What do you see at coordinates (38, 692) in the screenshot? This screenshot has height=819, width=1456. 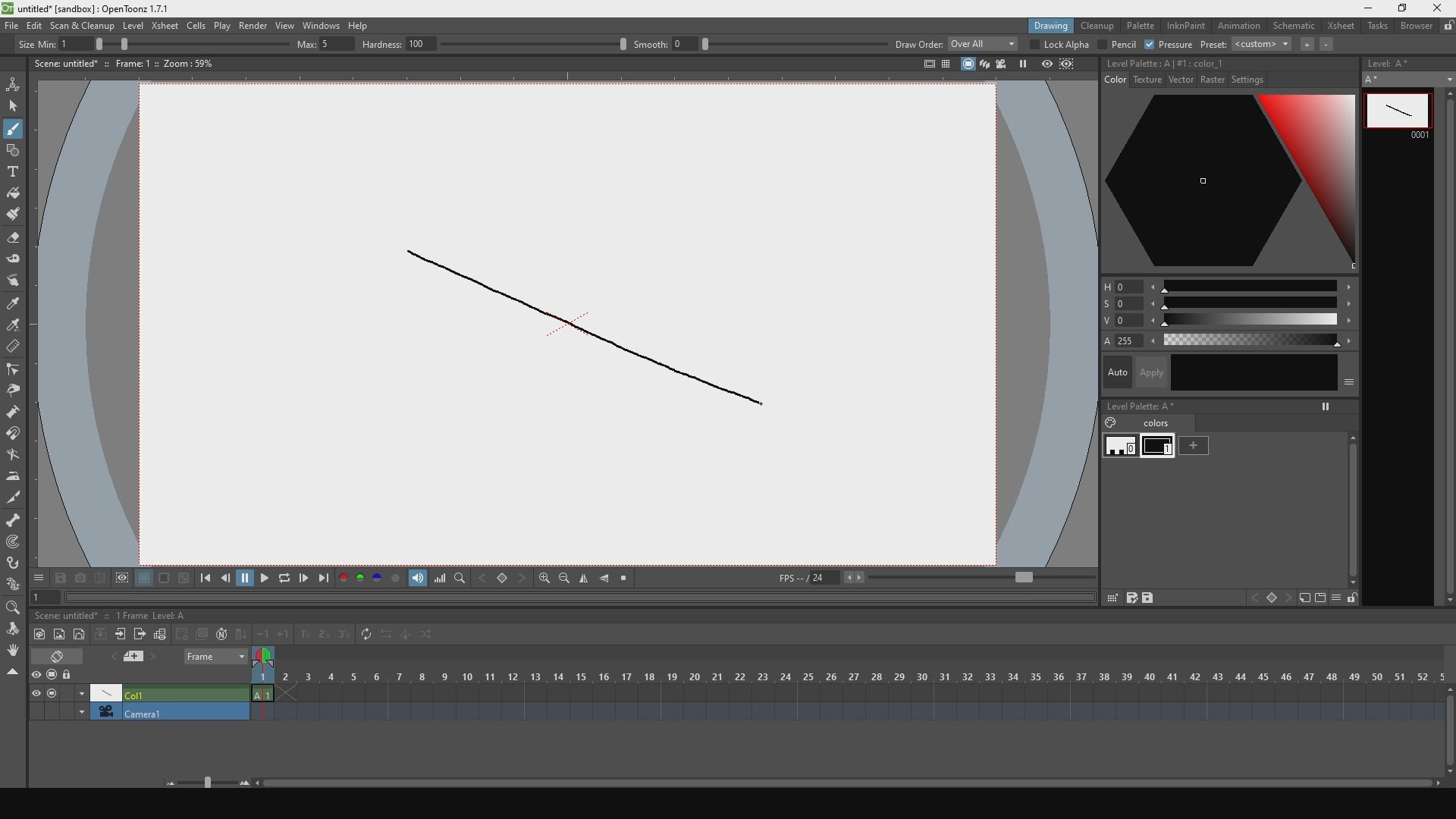 I see `visible` at bounding box center [38, 692].